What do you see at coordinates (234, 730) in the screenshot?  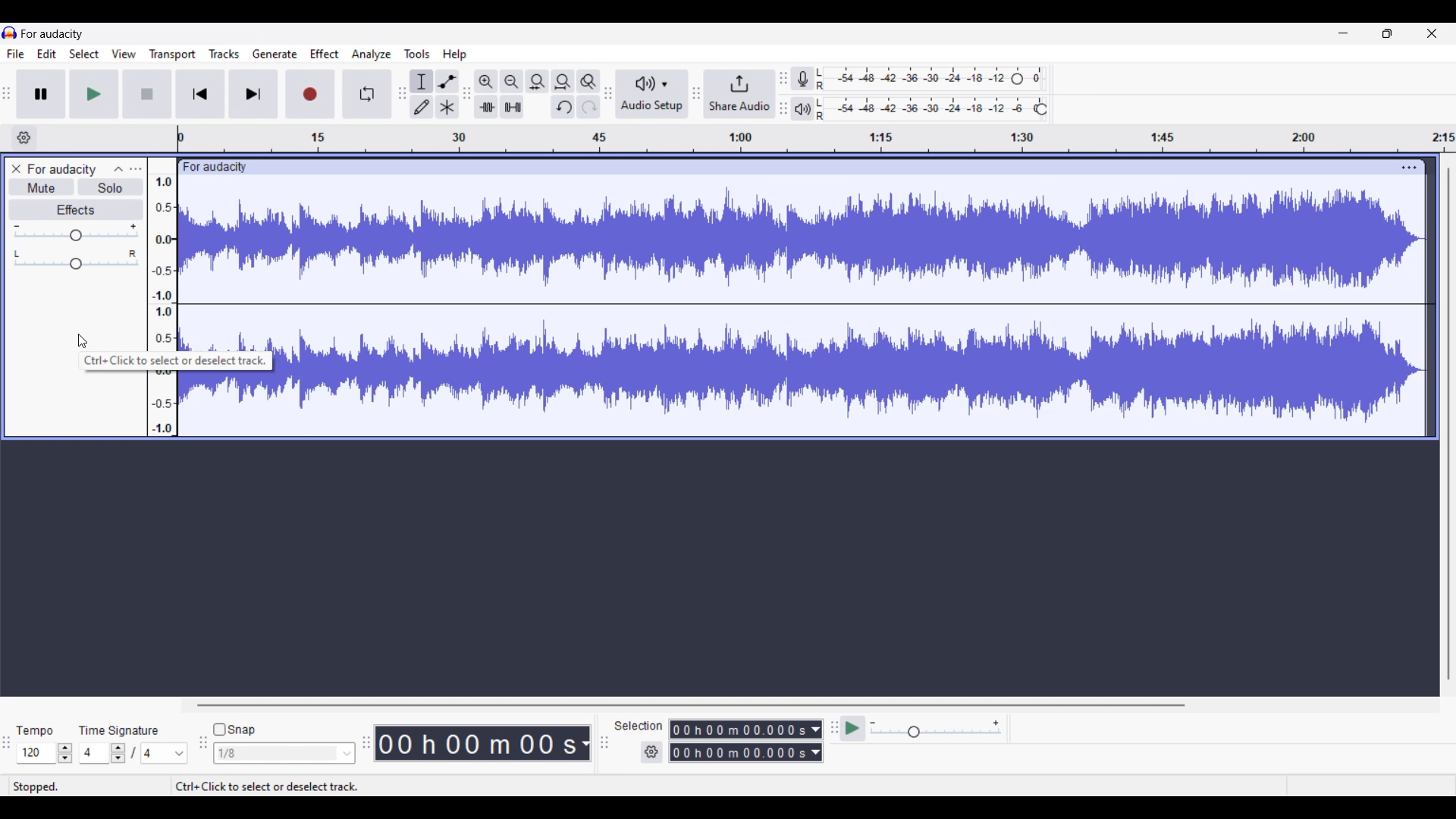 I see `Snap toggle` at bounding box center [234, 730].